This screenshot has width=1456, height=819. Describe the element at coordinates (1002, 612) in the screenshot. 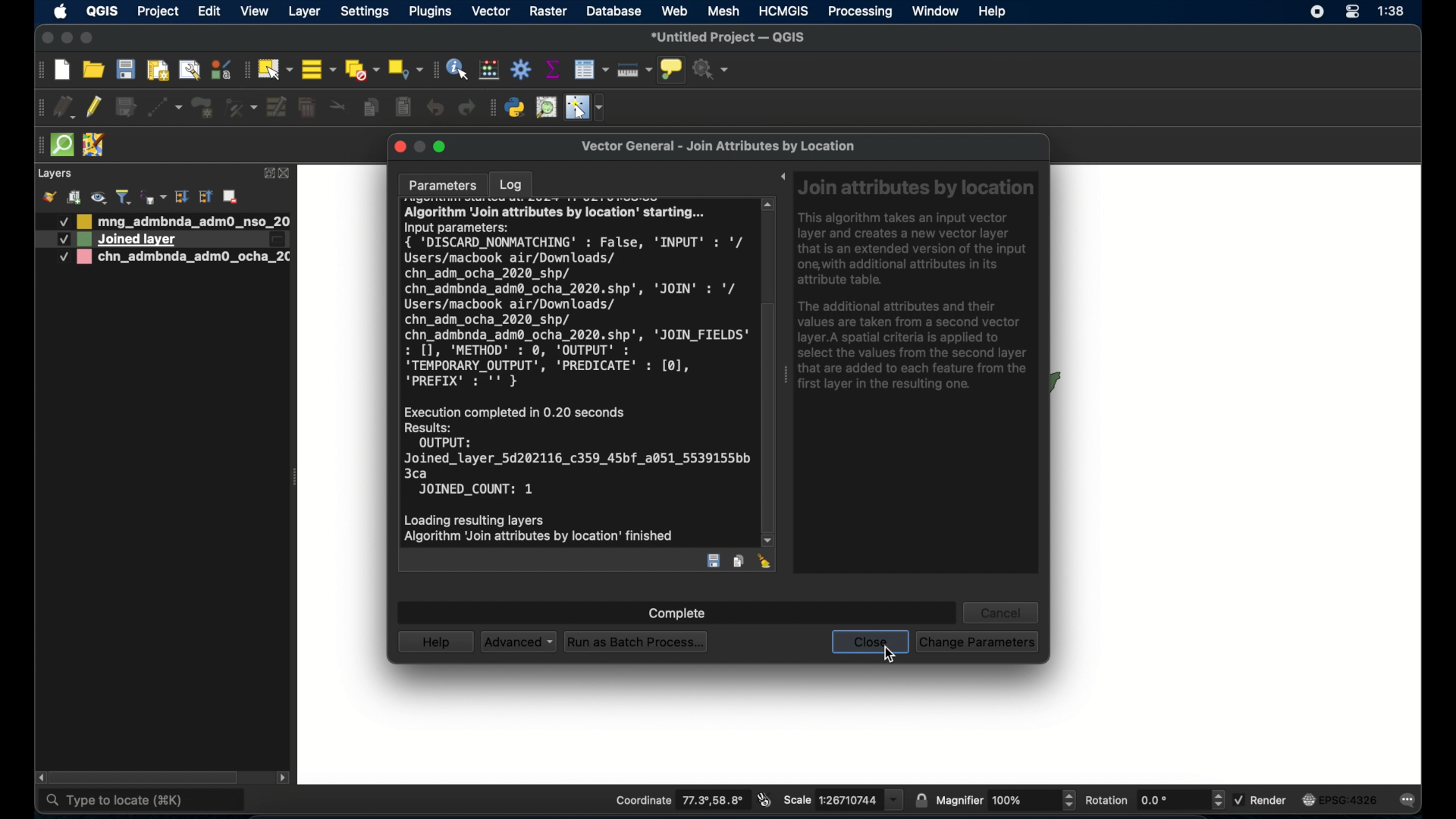

I see `cancel` at that location.